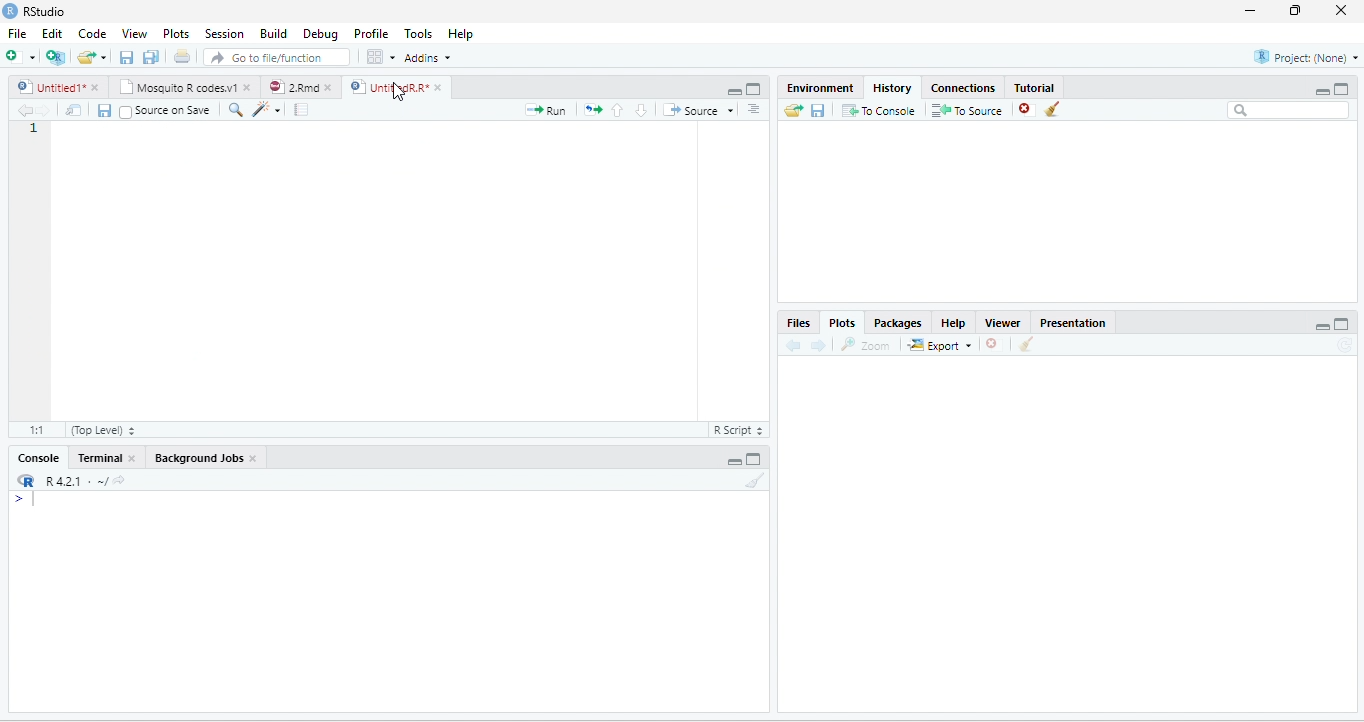 Image resolution: width=1364 pixels, height=722 pixels. What do you see at coordinates (95, 87) in the screenshot?
I see `close` at bounding box center [95, 87].